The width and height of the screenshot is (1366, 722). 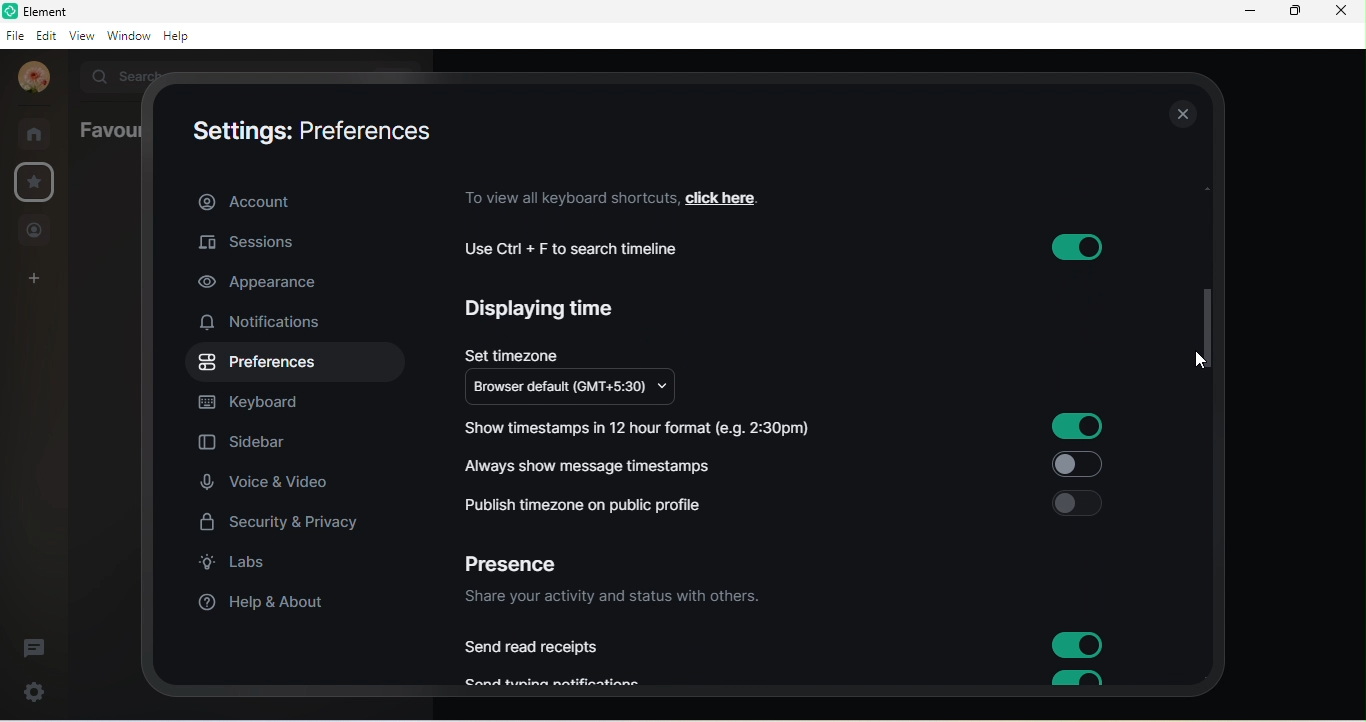 What do you see at coordinates (35, 282) in the screenshot?
I see `add space` at bounding box center [35, 282].